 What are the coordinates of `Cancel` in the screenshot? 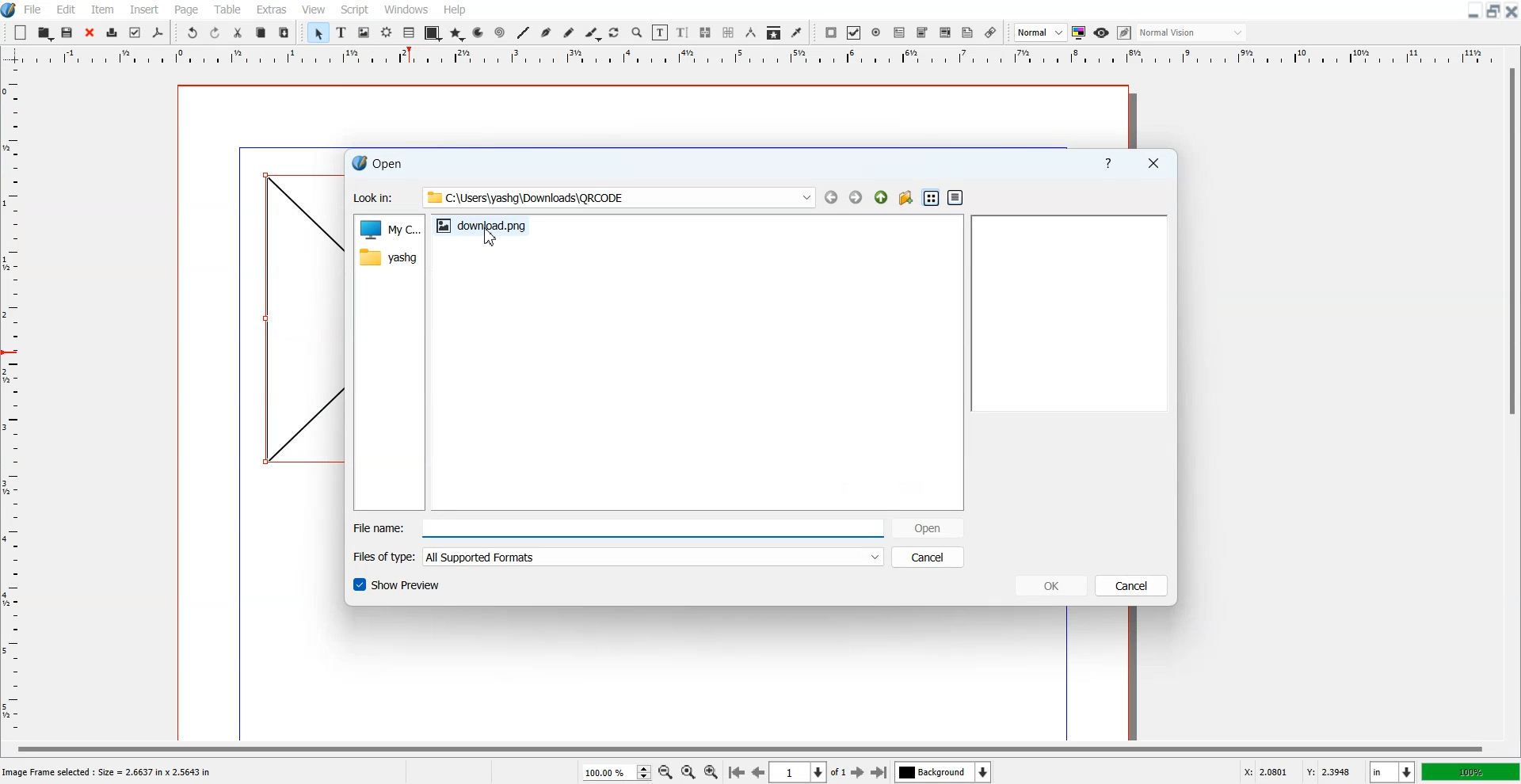 It's located at (1131, 585).